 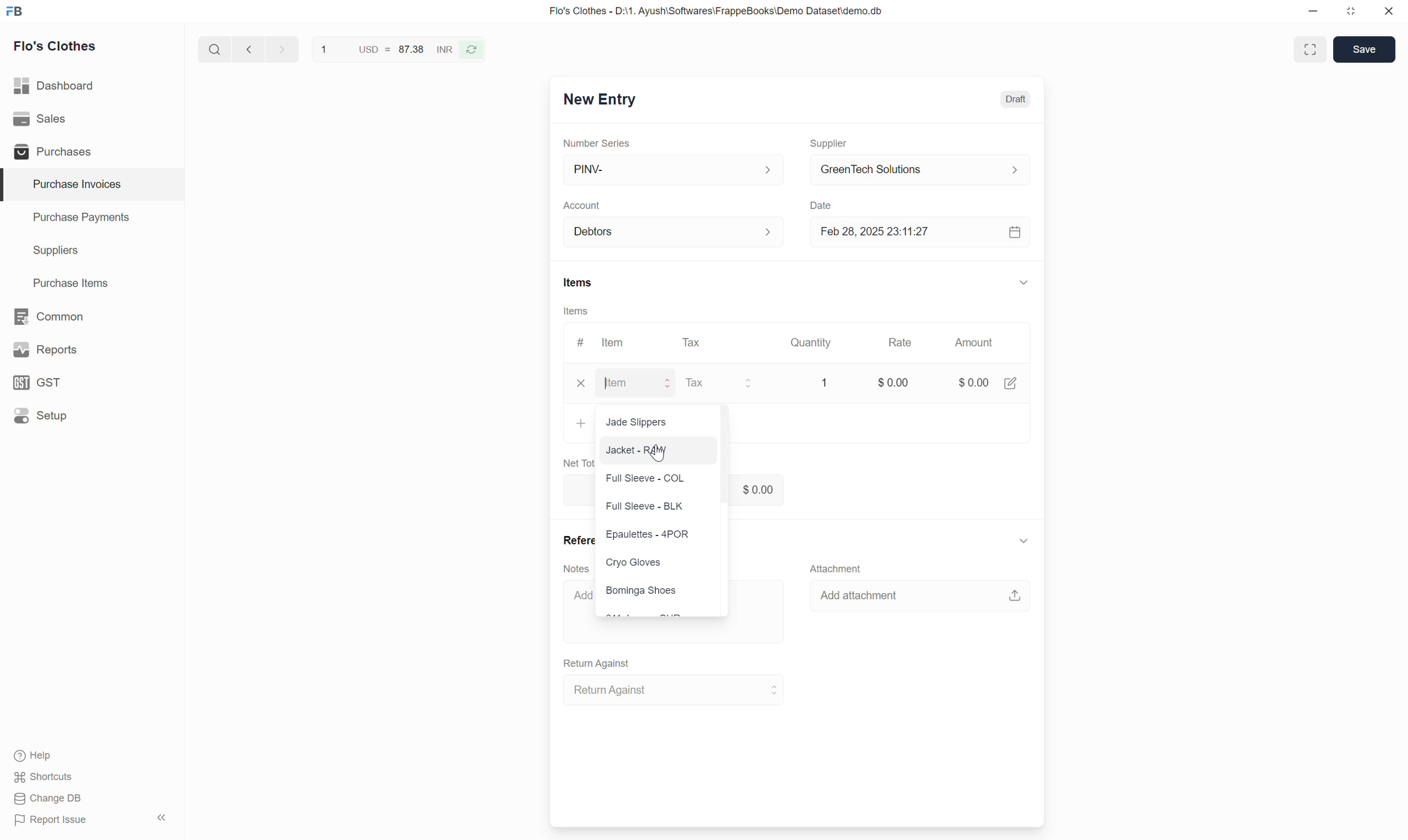 I want to click on Setup, so click(x=91, y=415).